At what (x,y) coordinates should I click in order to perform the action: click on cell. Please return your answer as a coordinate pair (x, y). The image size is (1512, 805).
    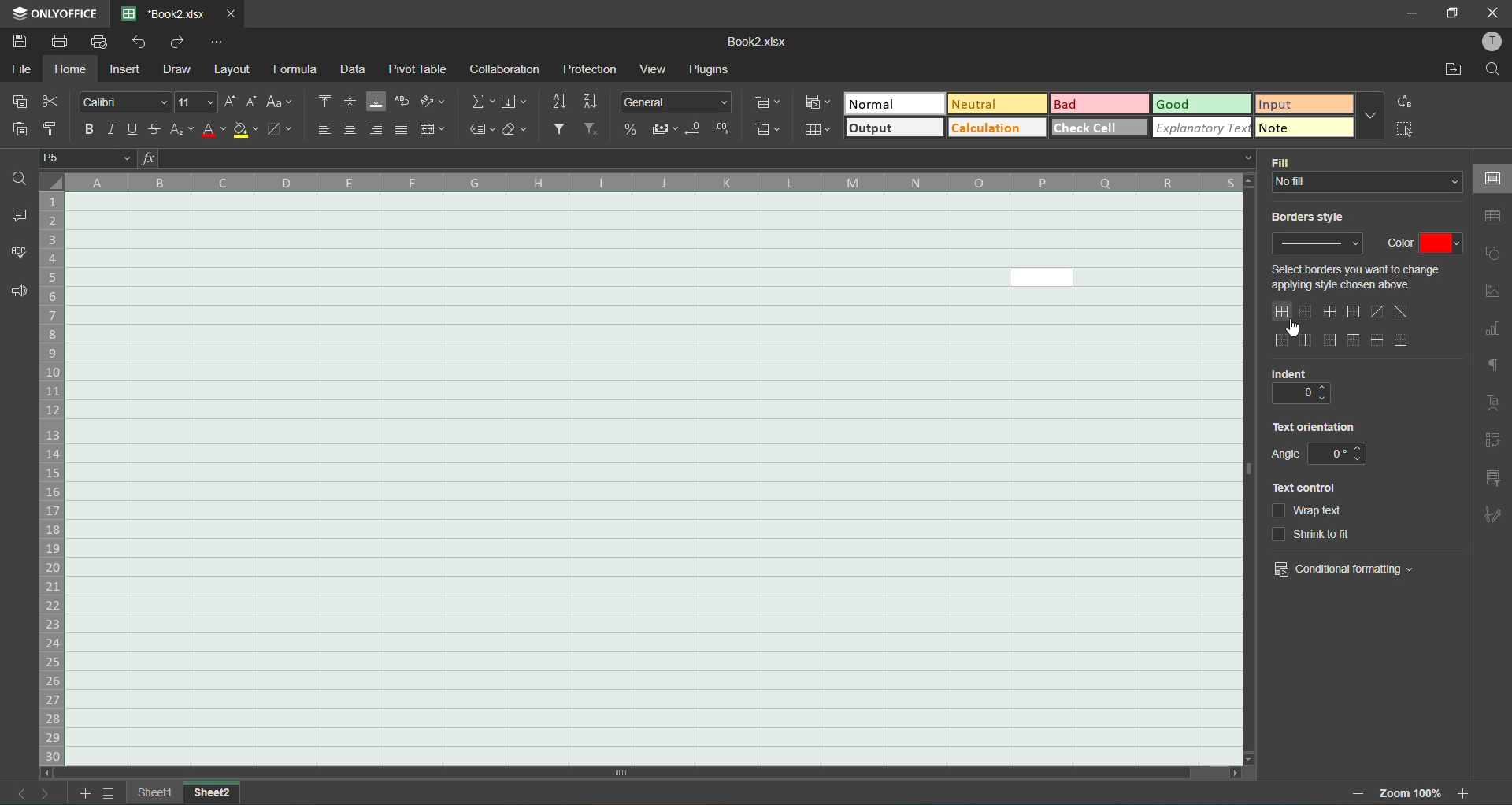
    Looking at the image, I should click on (650, 477).